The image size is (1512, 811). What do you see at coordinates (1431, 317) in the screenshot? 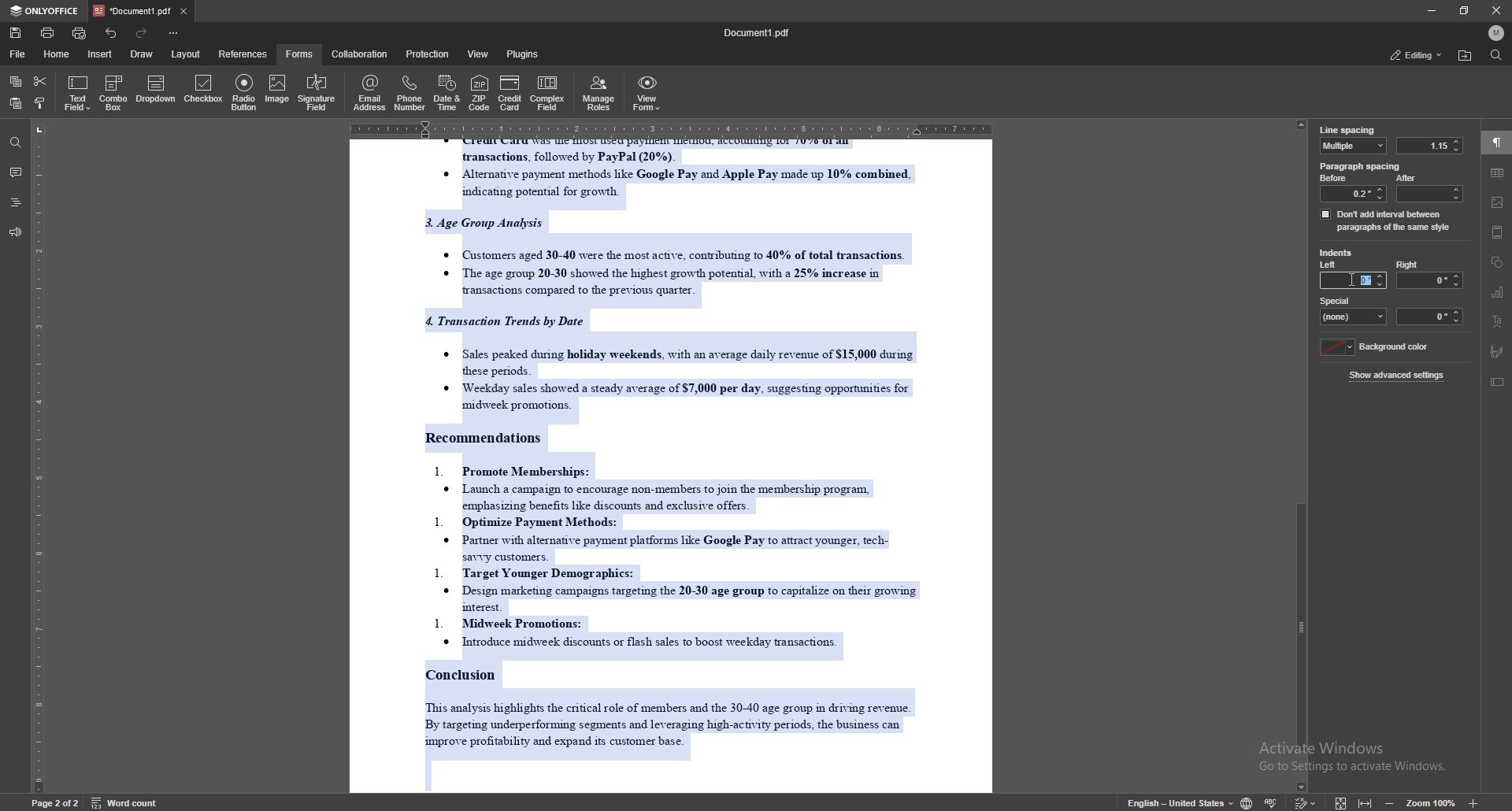
I see `indent space` at bounding box center [1431, 317].